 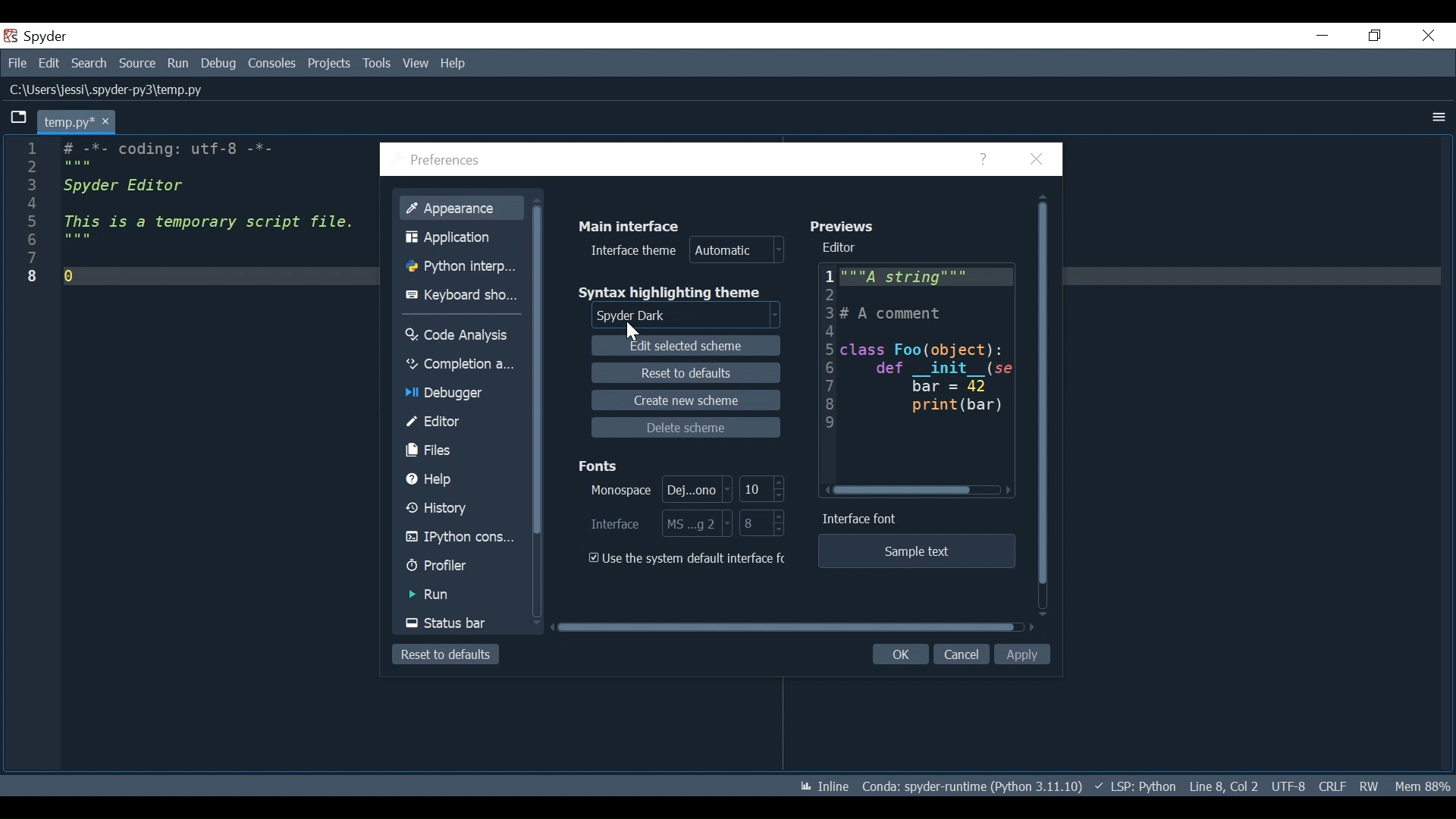 What do you see at coordinates (1375, 36) in the screenshot?
I see `Restore` at bounding box center [1375, 36].